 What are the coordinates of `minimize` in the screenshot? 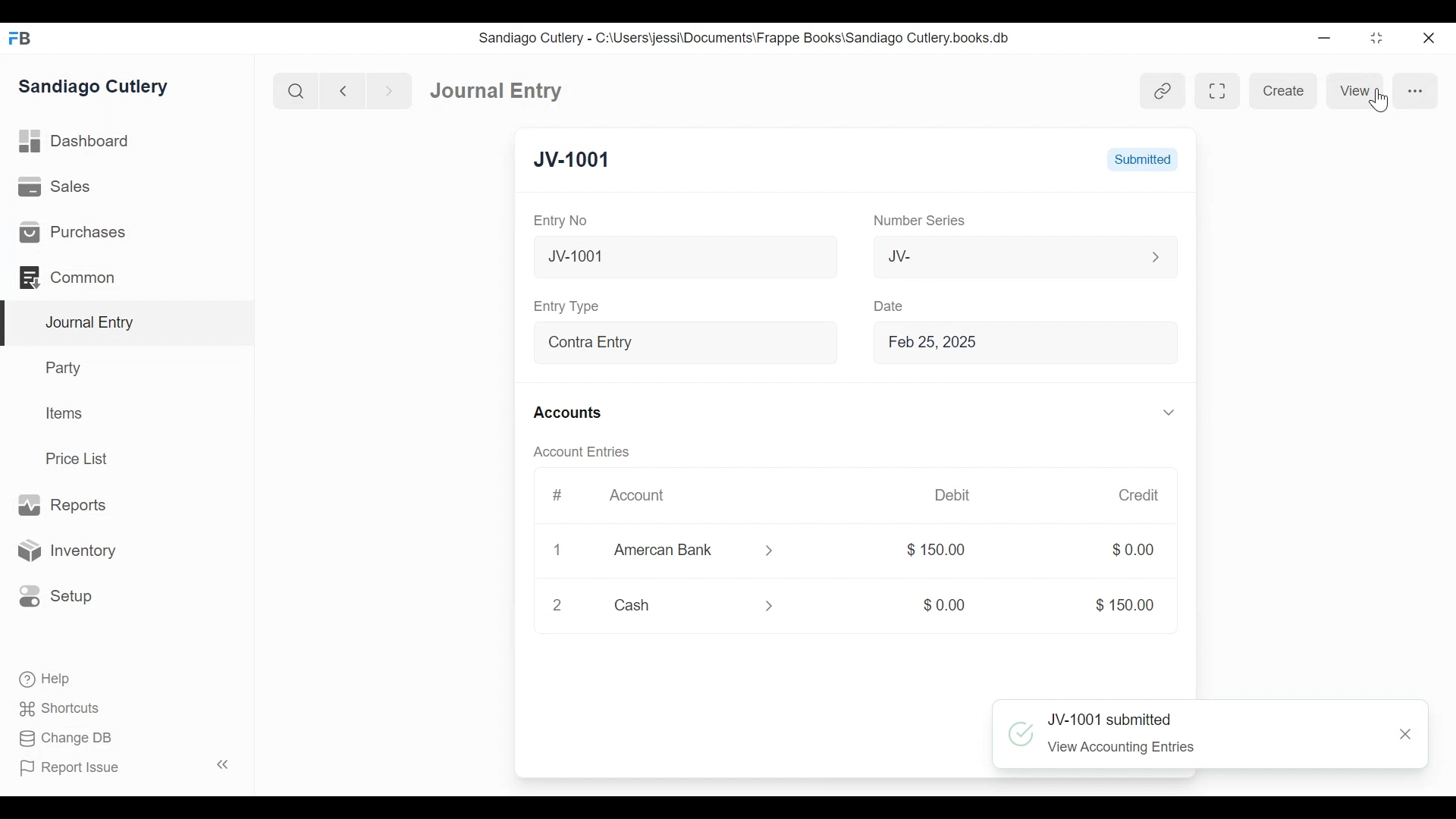 It's located at (1325, 37).